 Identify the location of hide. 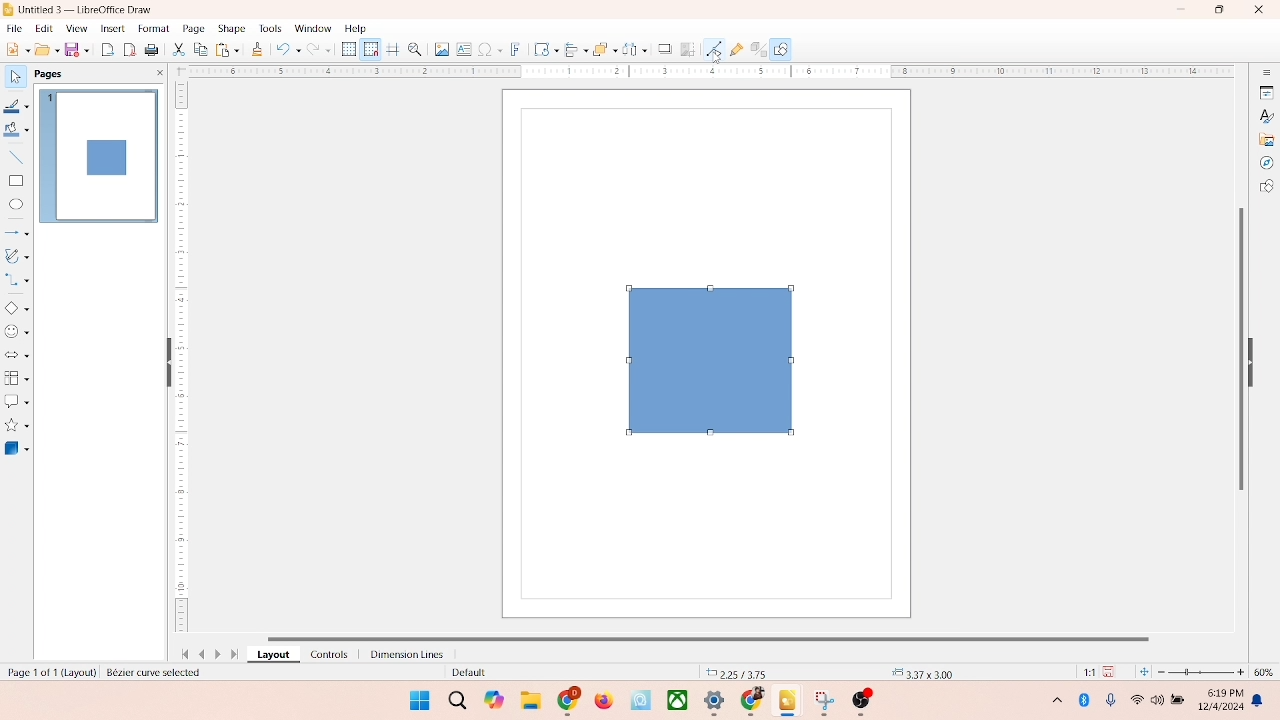
(1256, 359).